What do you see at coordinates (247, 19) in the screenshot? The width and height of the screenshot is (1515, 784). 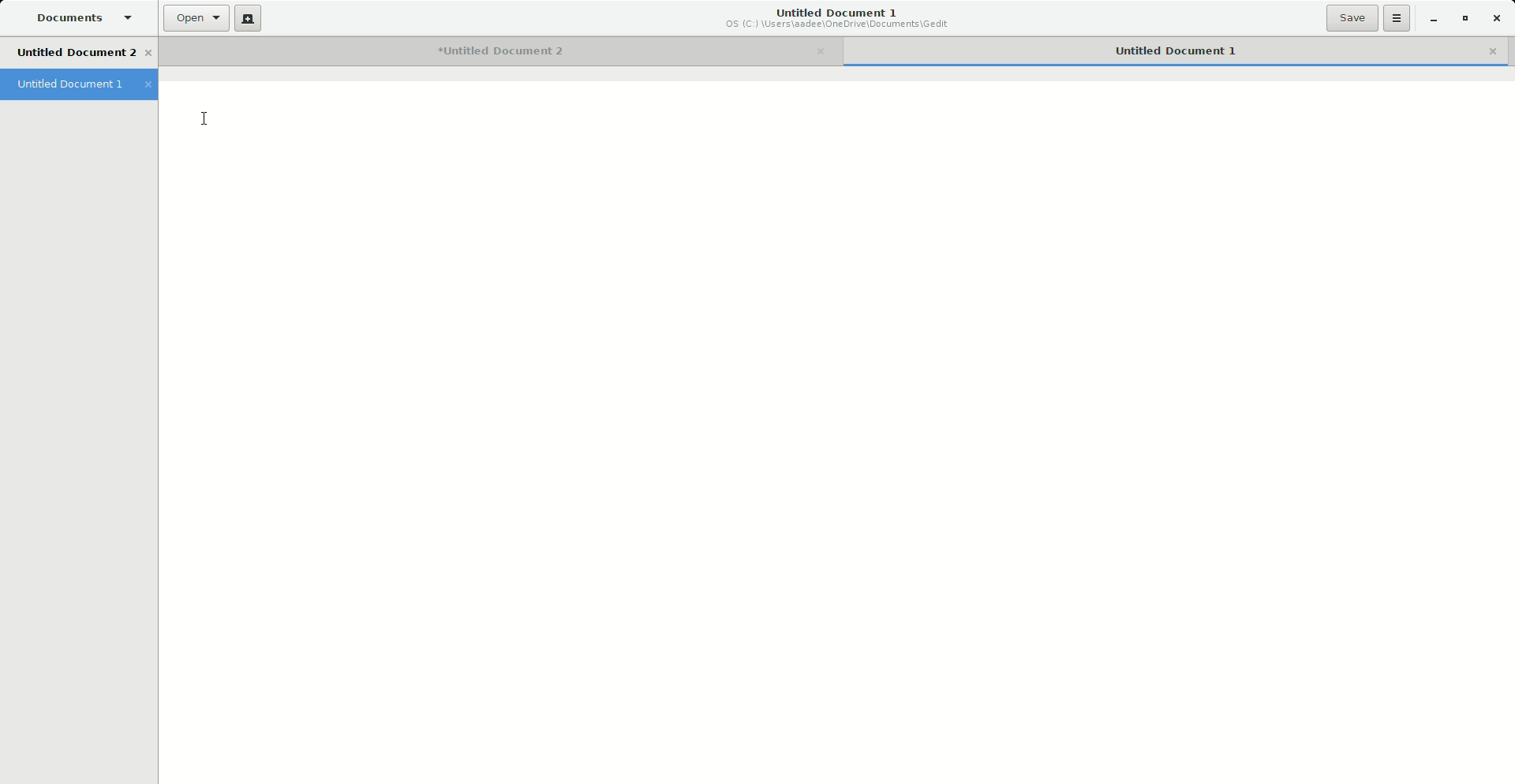 I see `New` at bounding box center [247, 19].